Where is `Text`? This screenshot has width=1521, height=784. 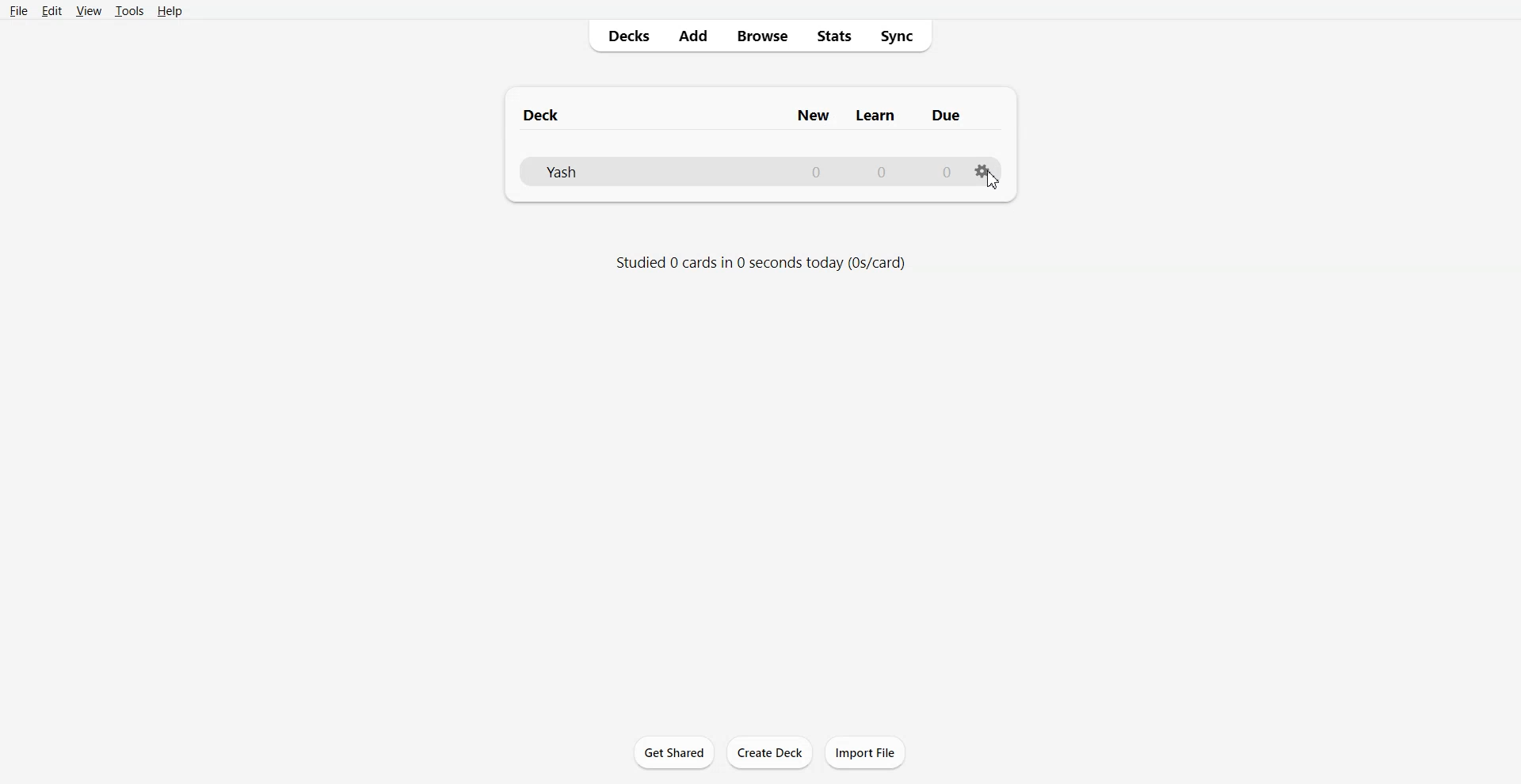
Text is located at coordinates (743, 115).